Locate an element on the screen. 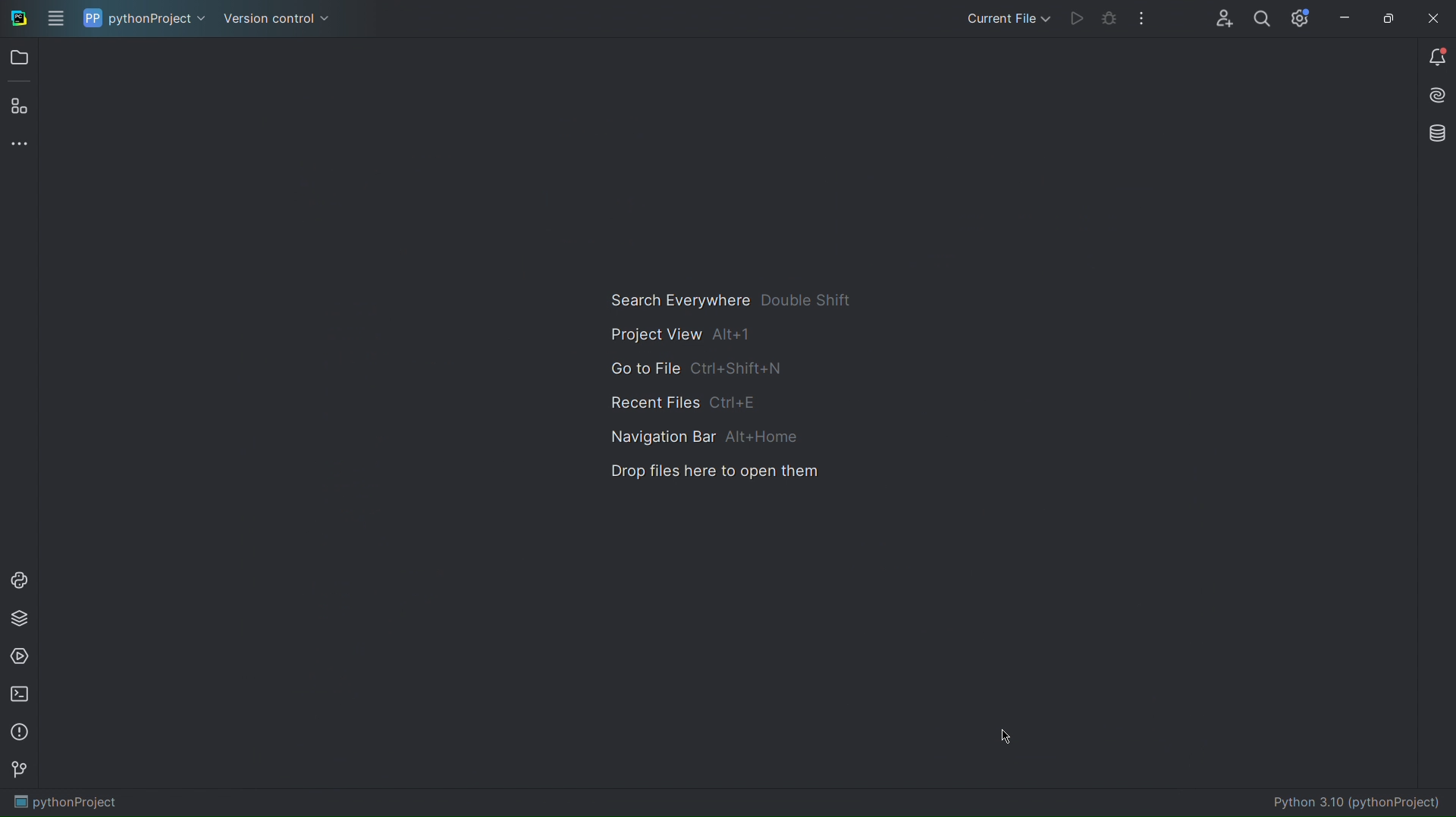  Python Console is located at coordinates (21, 581).